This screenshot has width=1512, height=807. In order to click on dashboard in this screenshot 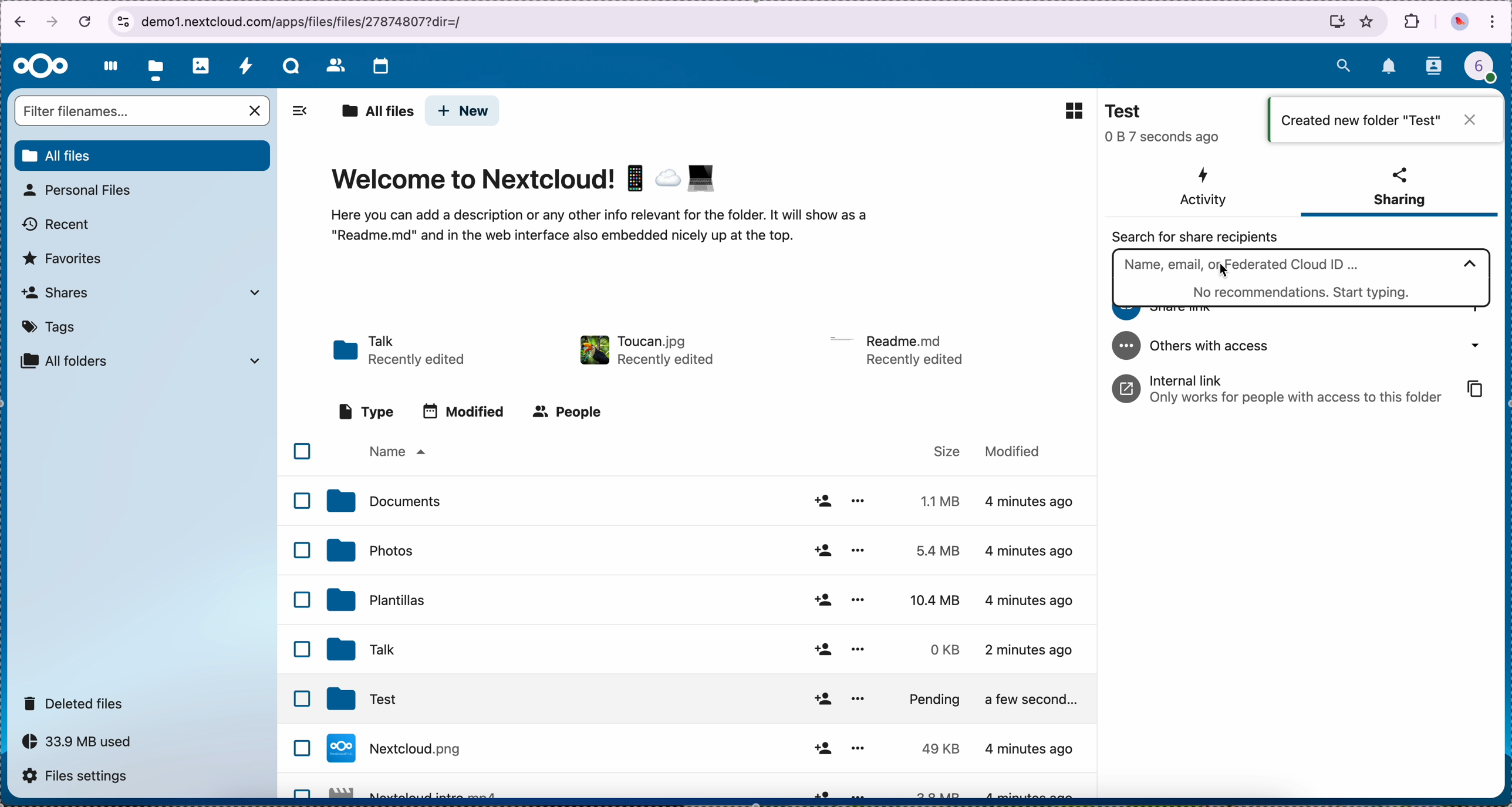, I will do `click(107, 66)`.